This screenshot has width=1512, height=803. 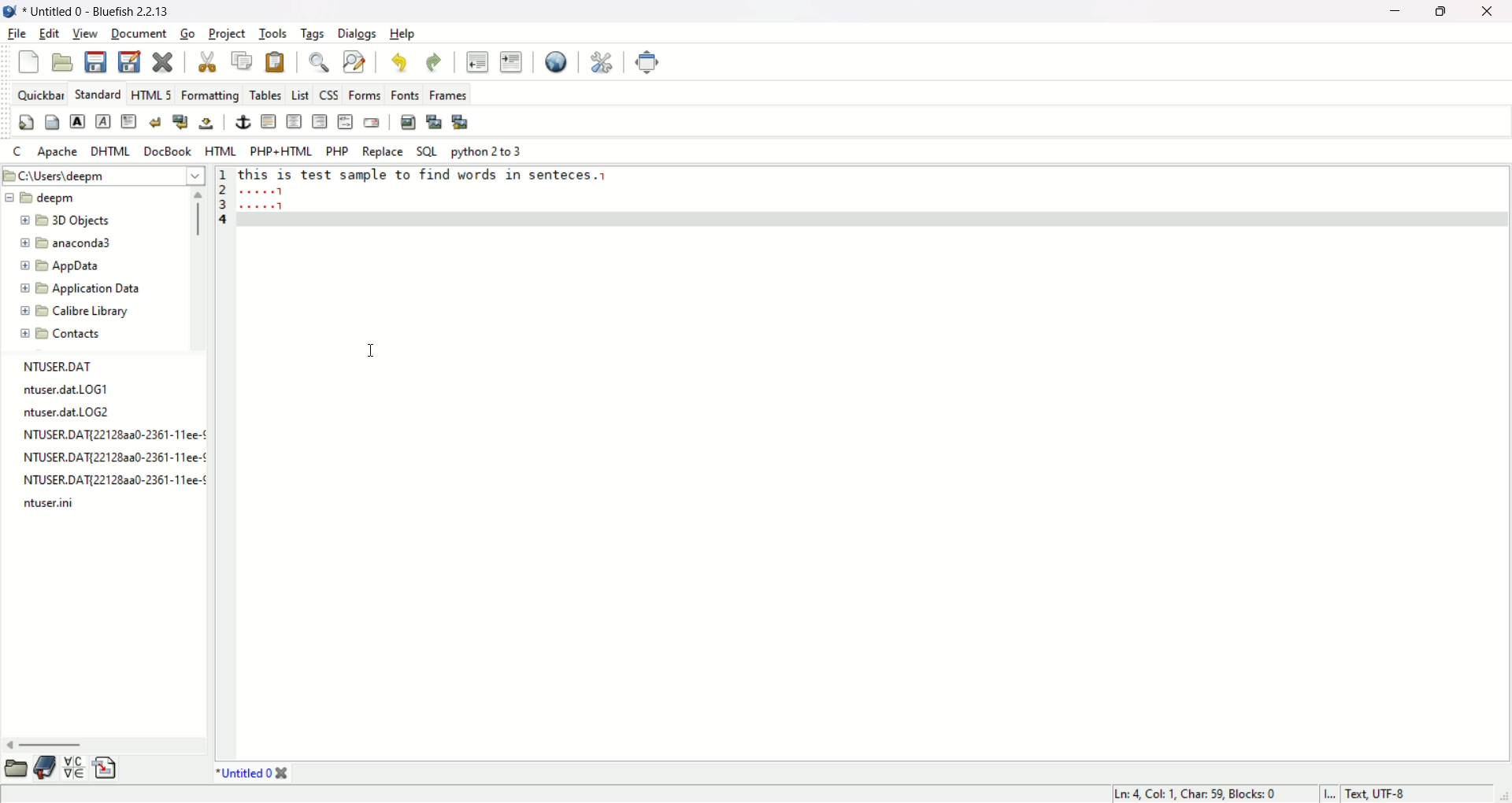 What do you see at coordinates (49, 33) in the screenshot?
I see `edit` at bounding box center [49, 33].